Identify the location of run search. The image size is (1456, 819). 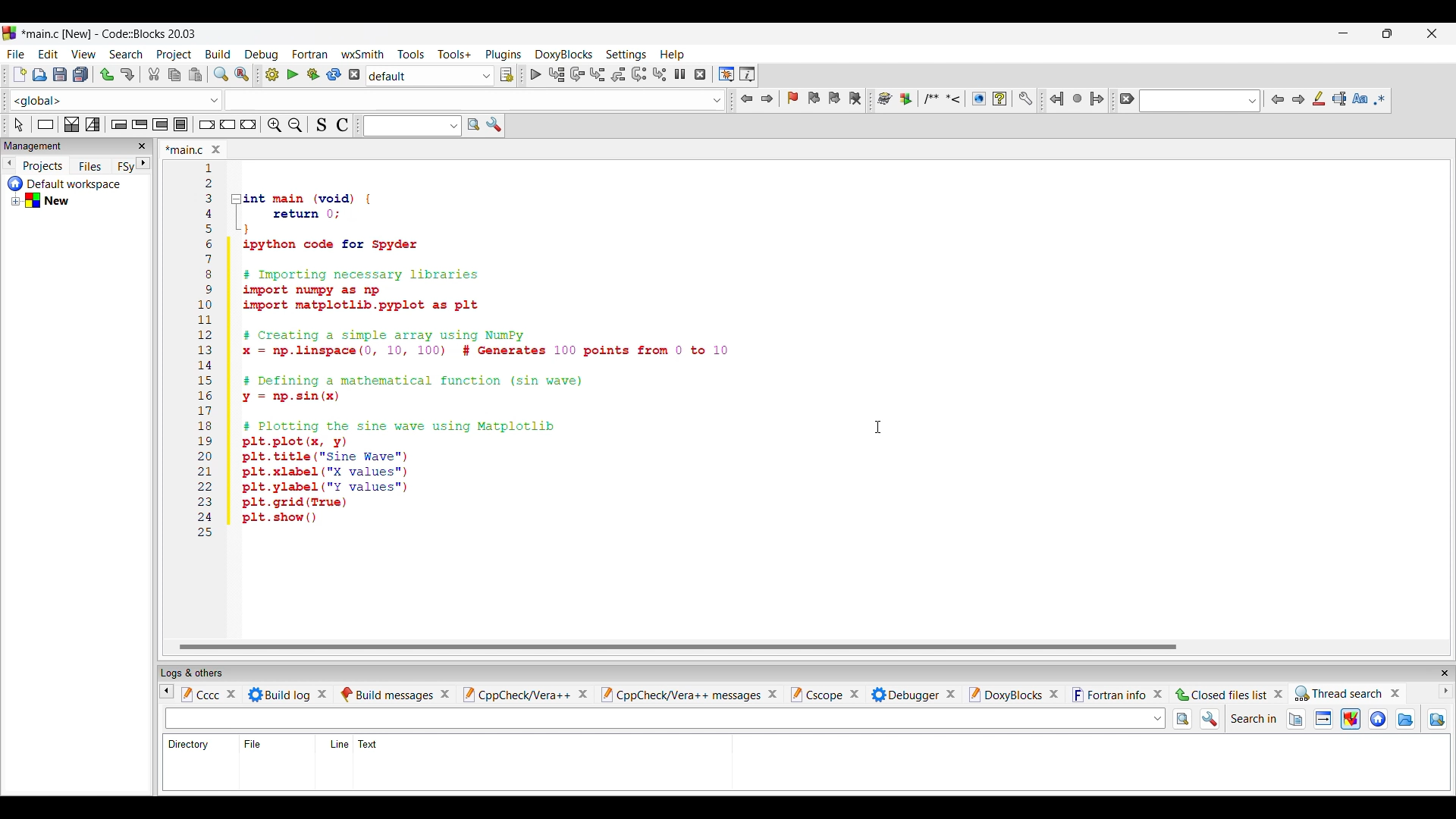
(476, 124).